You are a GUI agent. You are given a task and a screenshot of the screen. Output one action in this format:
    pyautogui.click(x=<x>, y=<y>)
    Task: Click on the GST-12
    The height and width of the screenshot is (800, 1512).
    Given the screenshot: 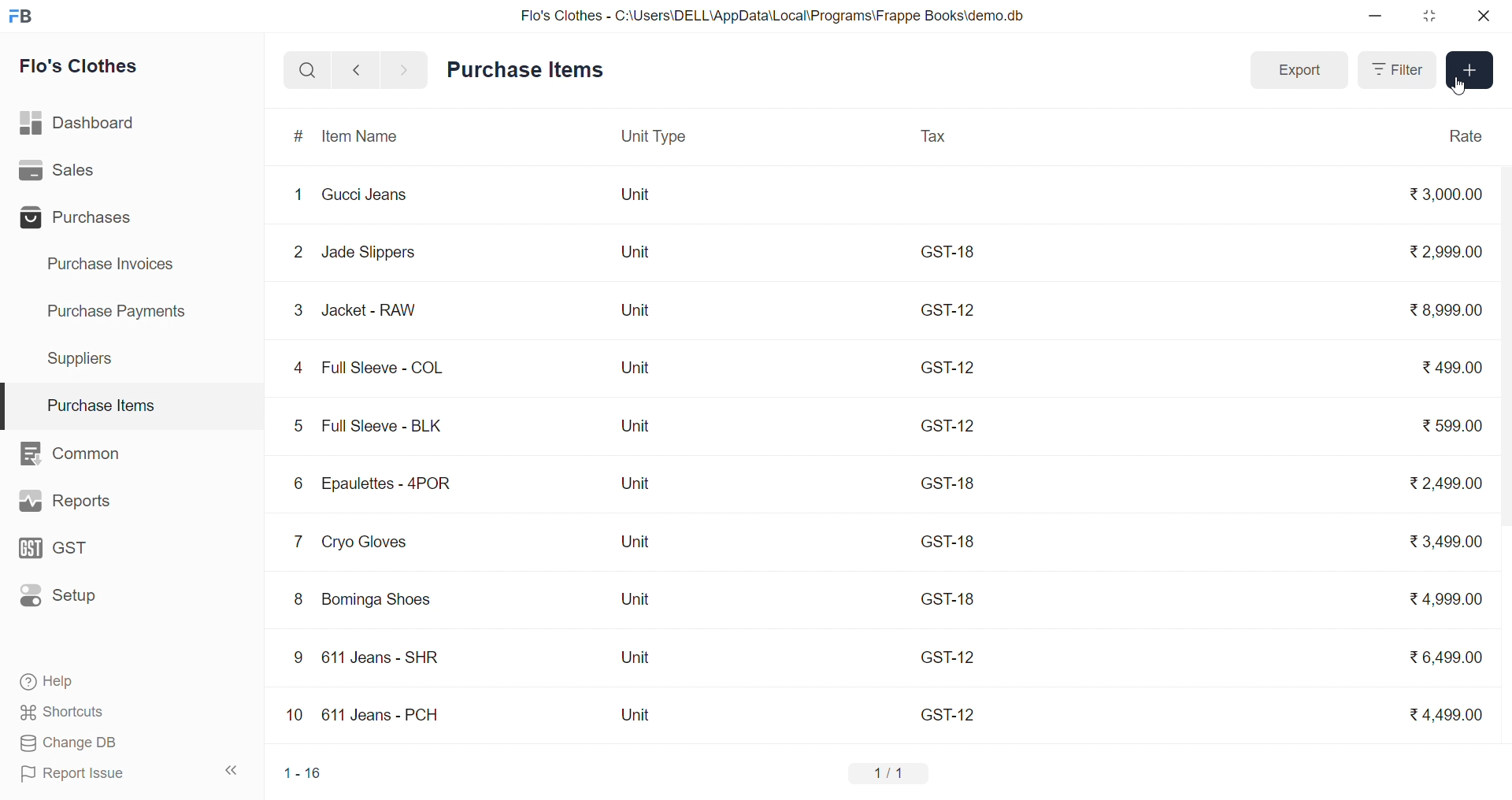 What is the action you would take?
    pyautogui.click(x=949, y=368)
    